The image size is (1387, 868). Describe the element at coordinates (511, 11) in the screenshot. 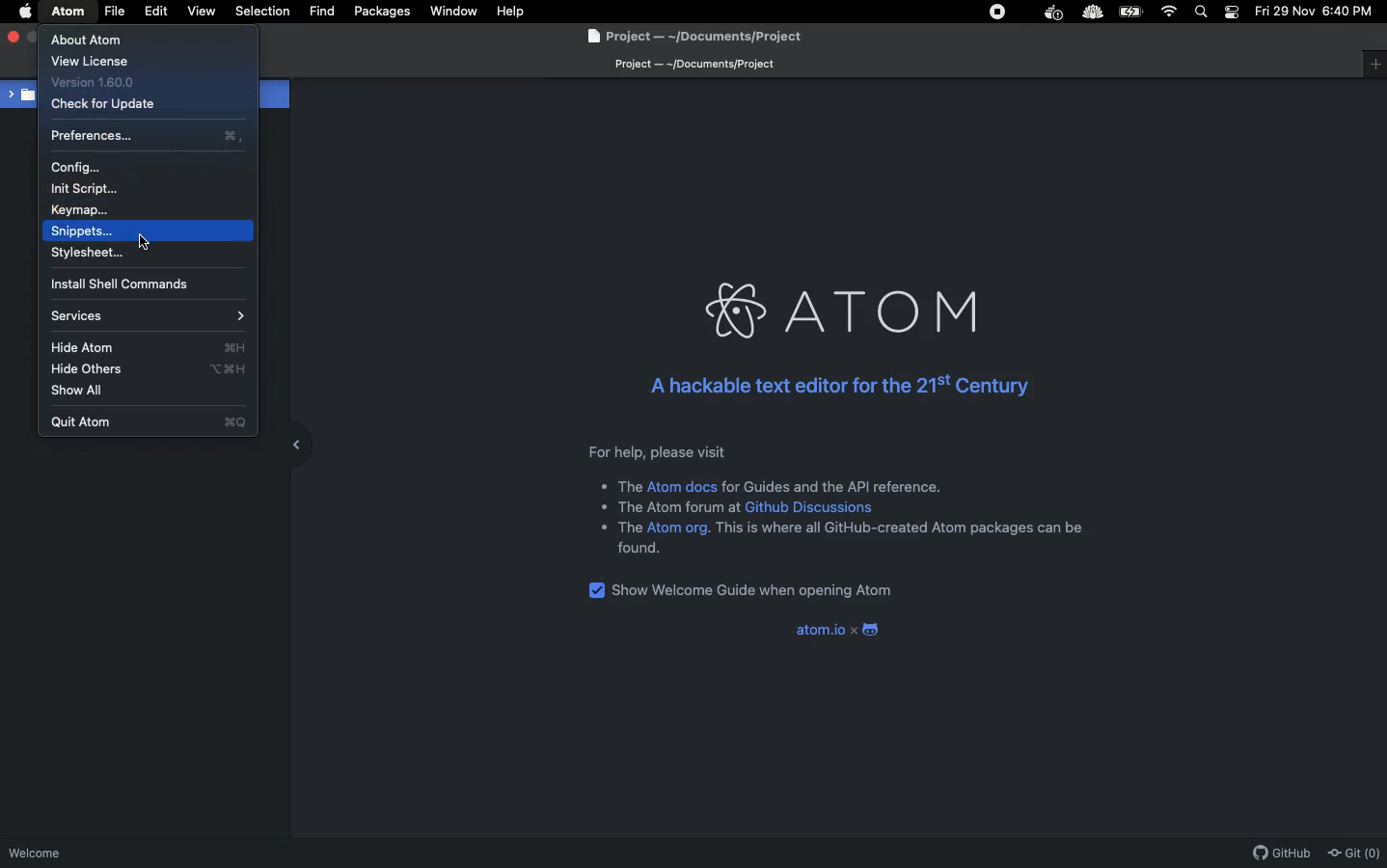

I see `Help` at that location.